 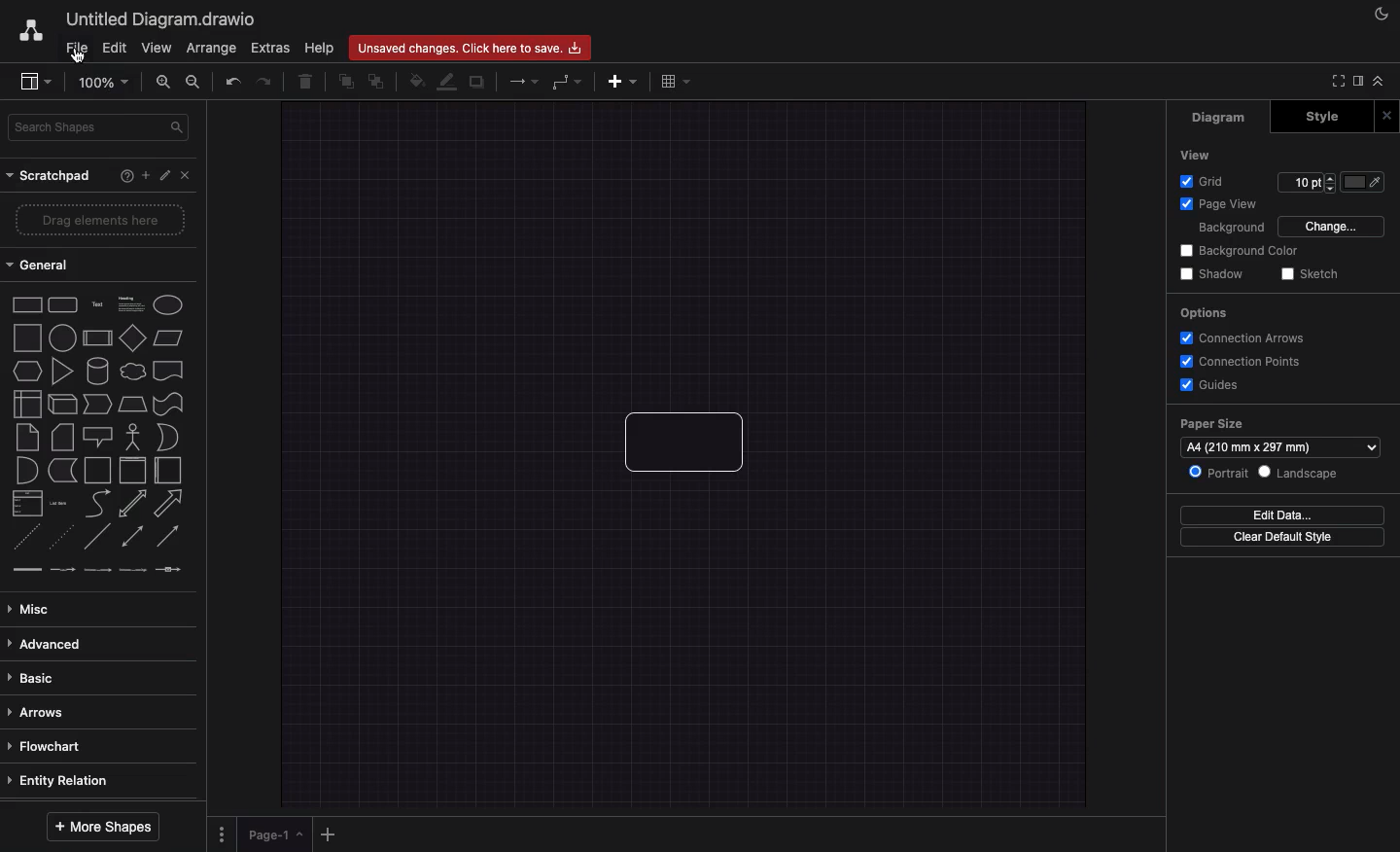 What do you see at coordinates (1285, 538) in the screenshot?
I see `Clear default style` at bounding box center [1285, 538].